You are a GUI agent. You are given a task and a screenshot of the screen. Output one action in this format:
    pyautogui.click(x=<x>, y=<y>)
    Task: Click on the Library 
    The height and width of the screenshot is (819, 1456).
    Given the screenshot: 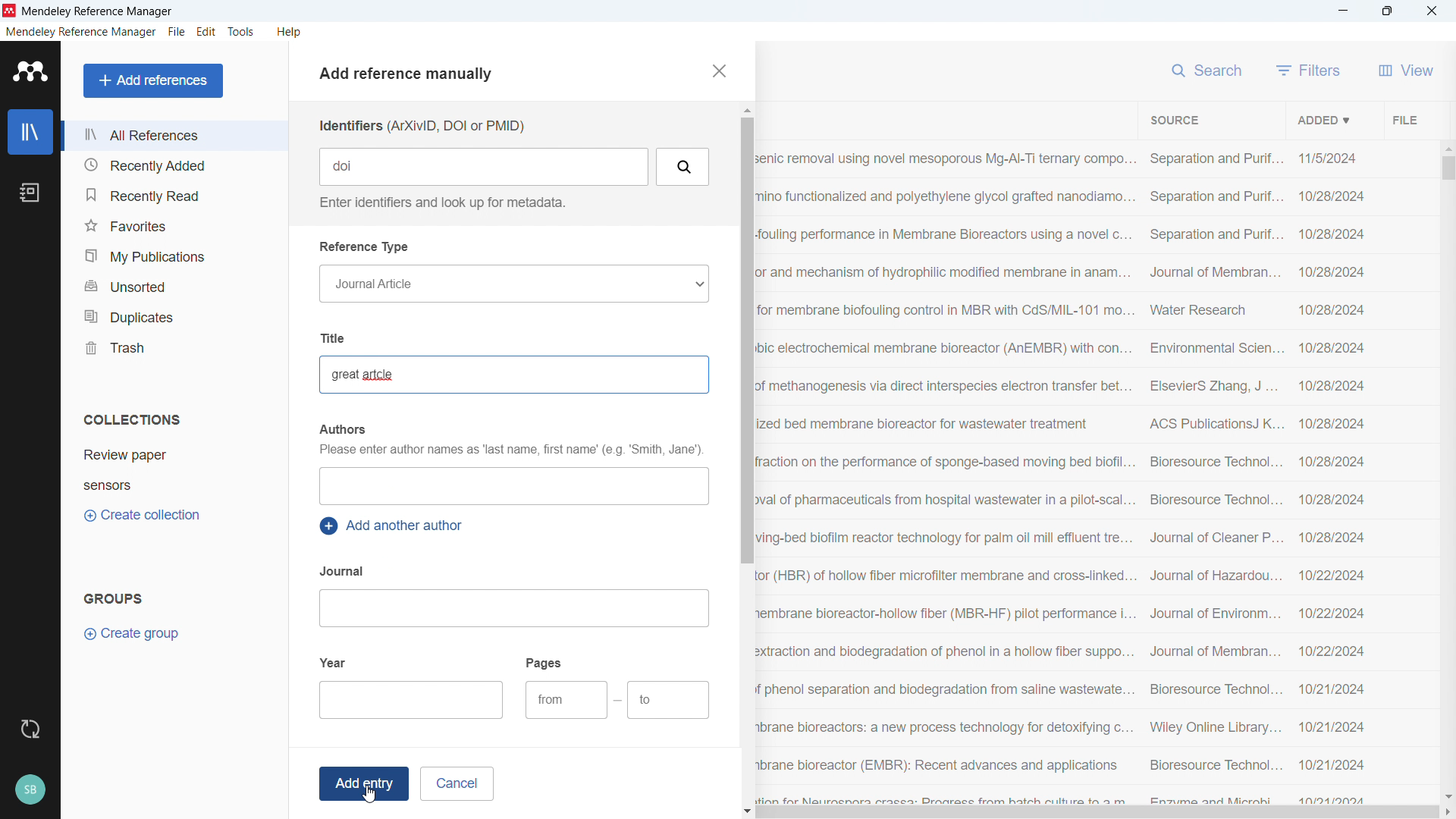 What is the action you would take?
    pyautogui.click(x=30, y=132)
    